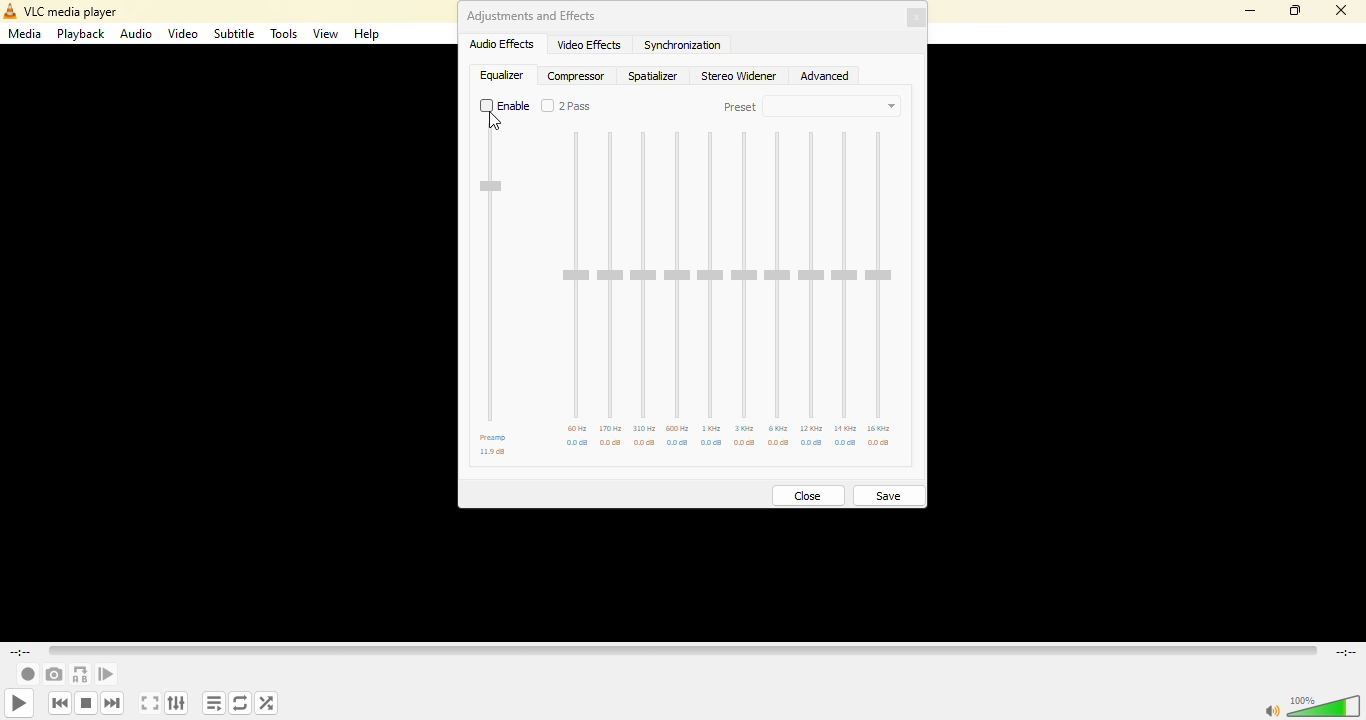  I want to click on media, so click(26, 33).